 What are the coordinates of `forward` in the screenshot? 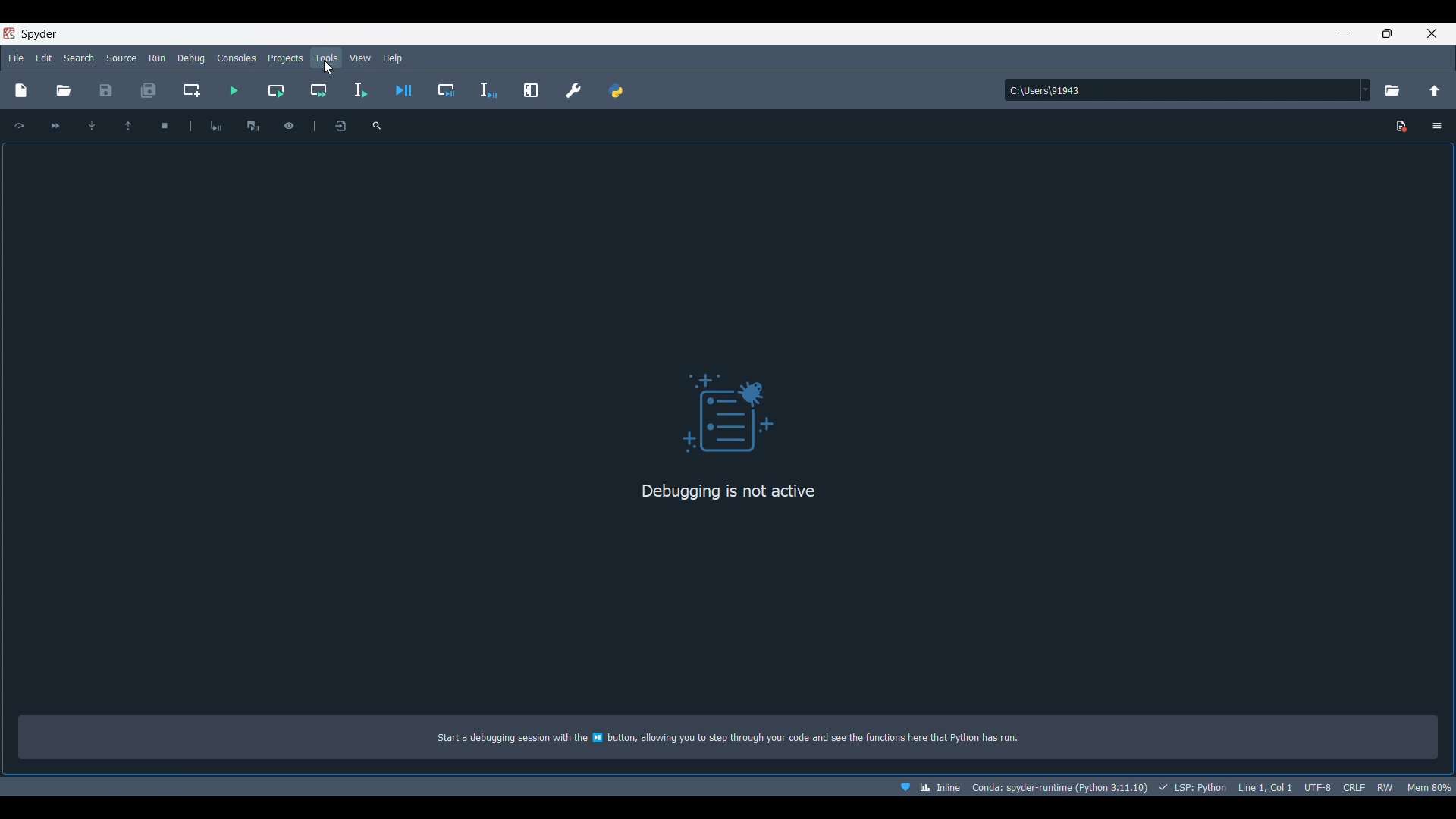 It's located at (56, 126).